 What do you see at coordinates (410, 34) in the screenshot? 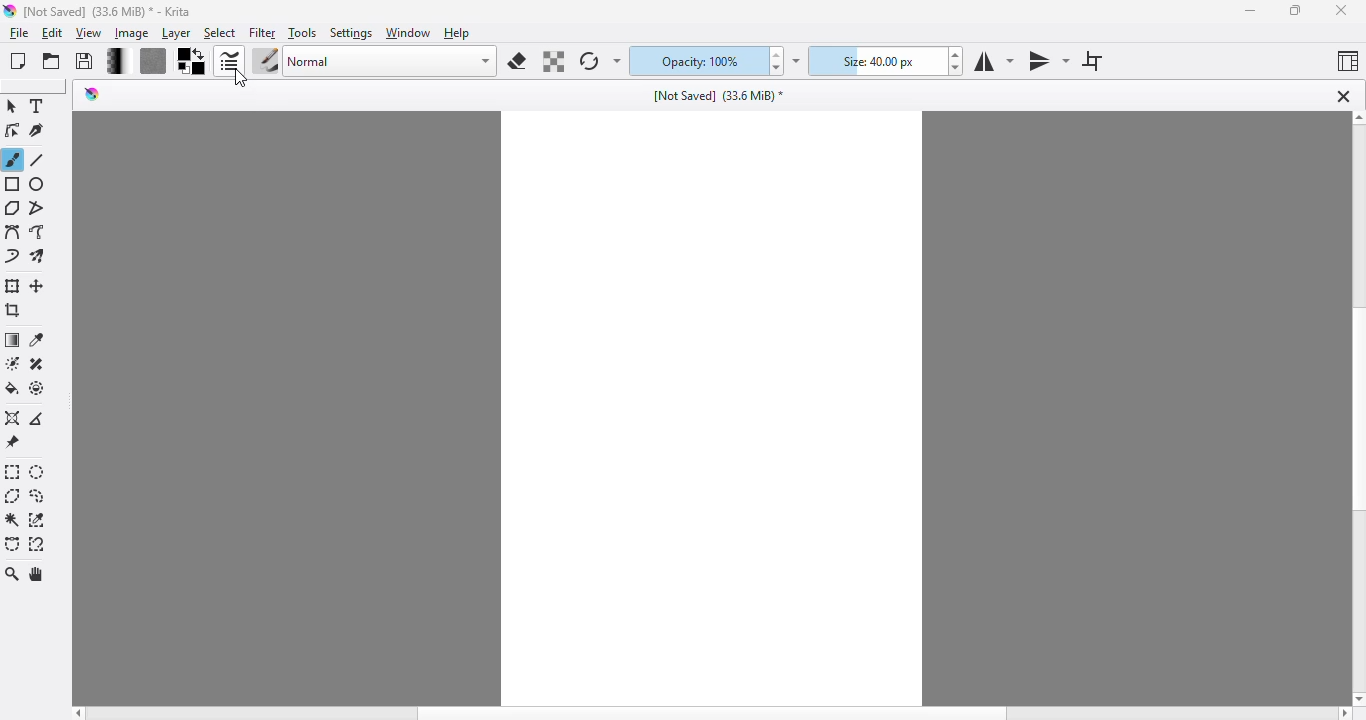
I see `window` at bounding box center [410, 34].